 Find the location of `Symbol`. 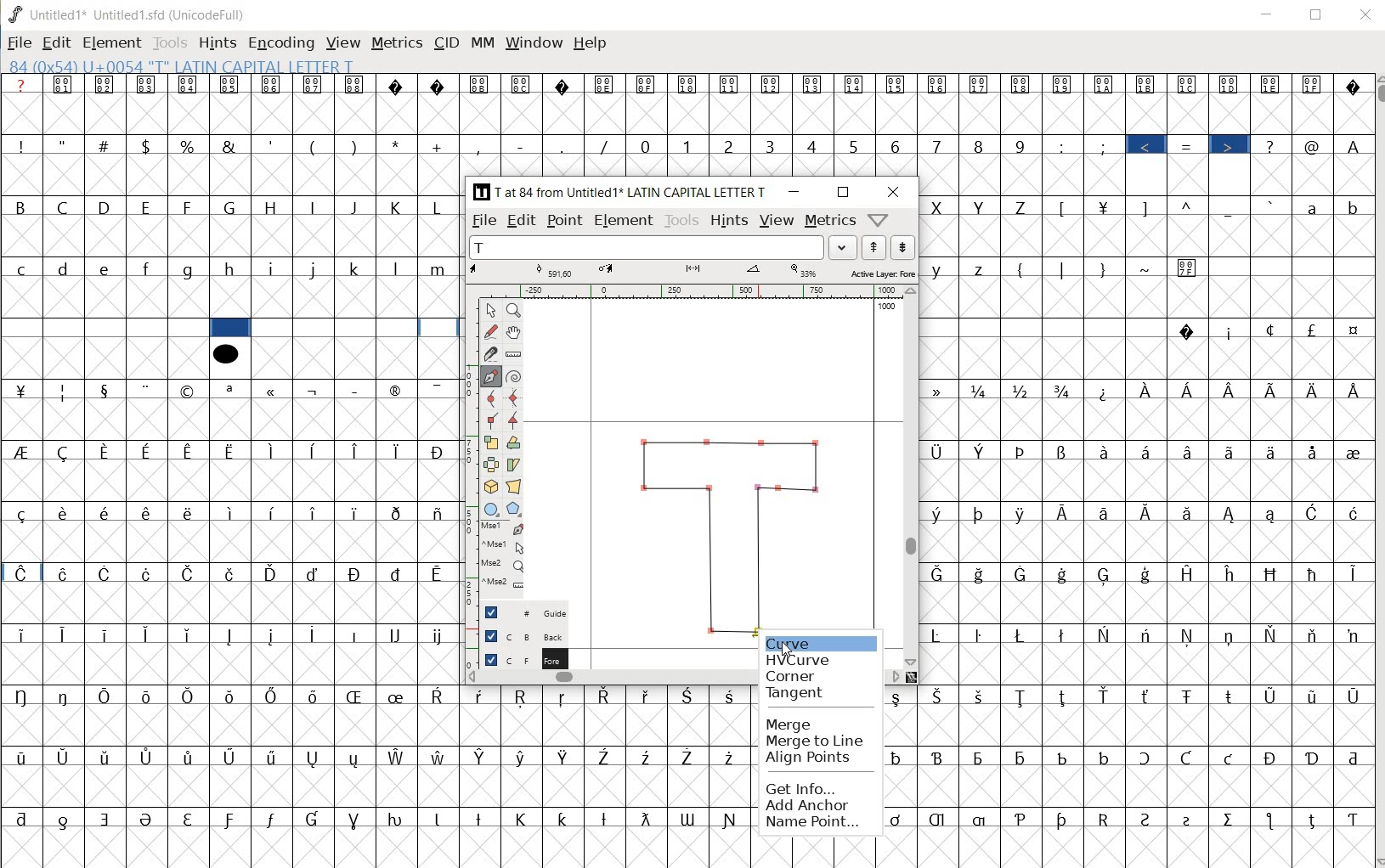

Symbol is located at coordinates (1313, 330).